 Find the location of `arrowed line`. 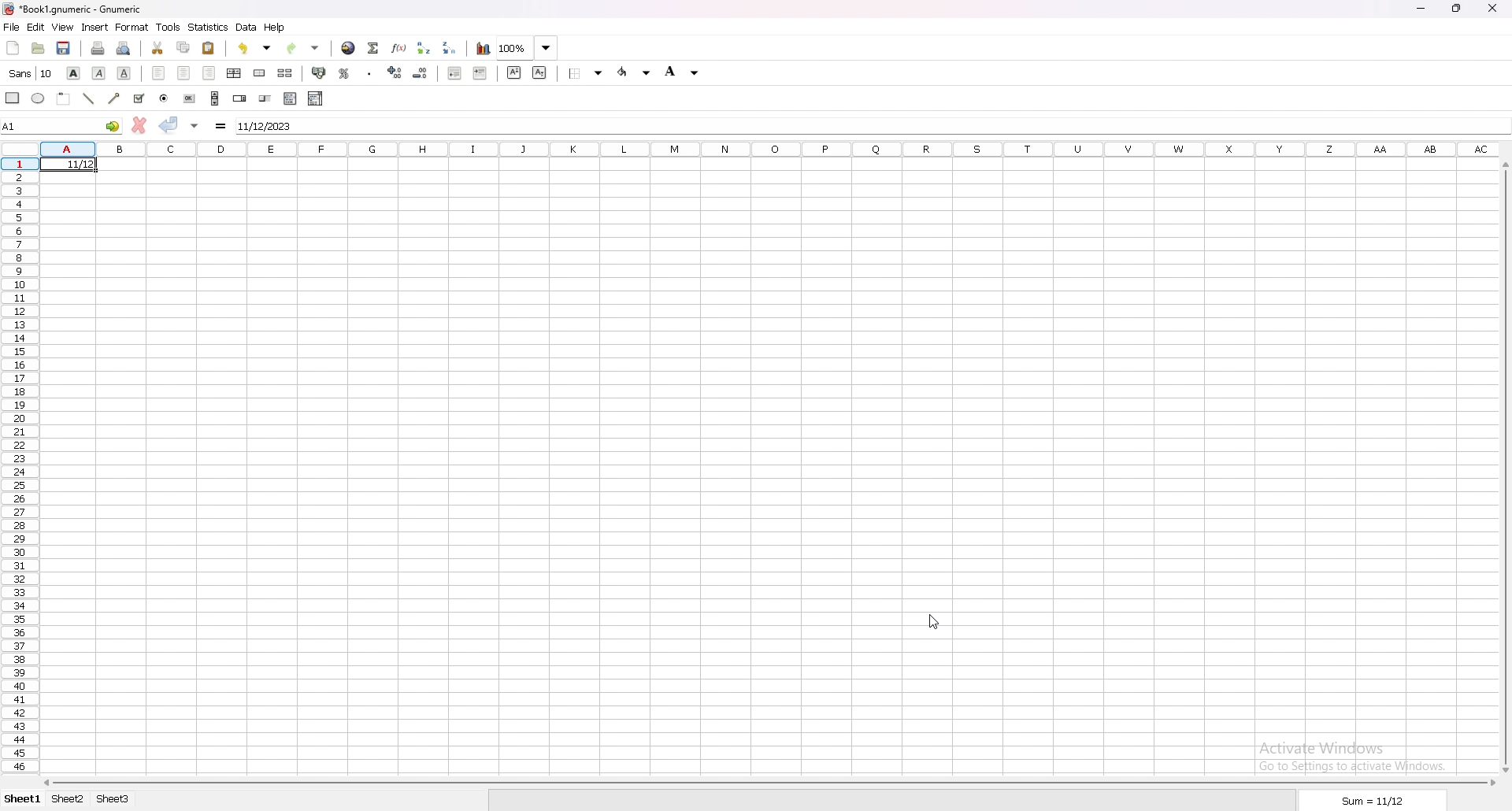

arrowed line is located at coordinates (116, 98).